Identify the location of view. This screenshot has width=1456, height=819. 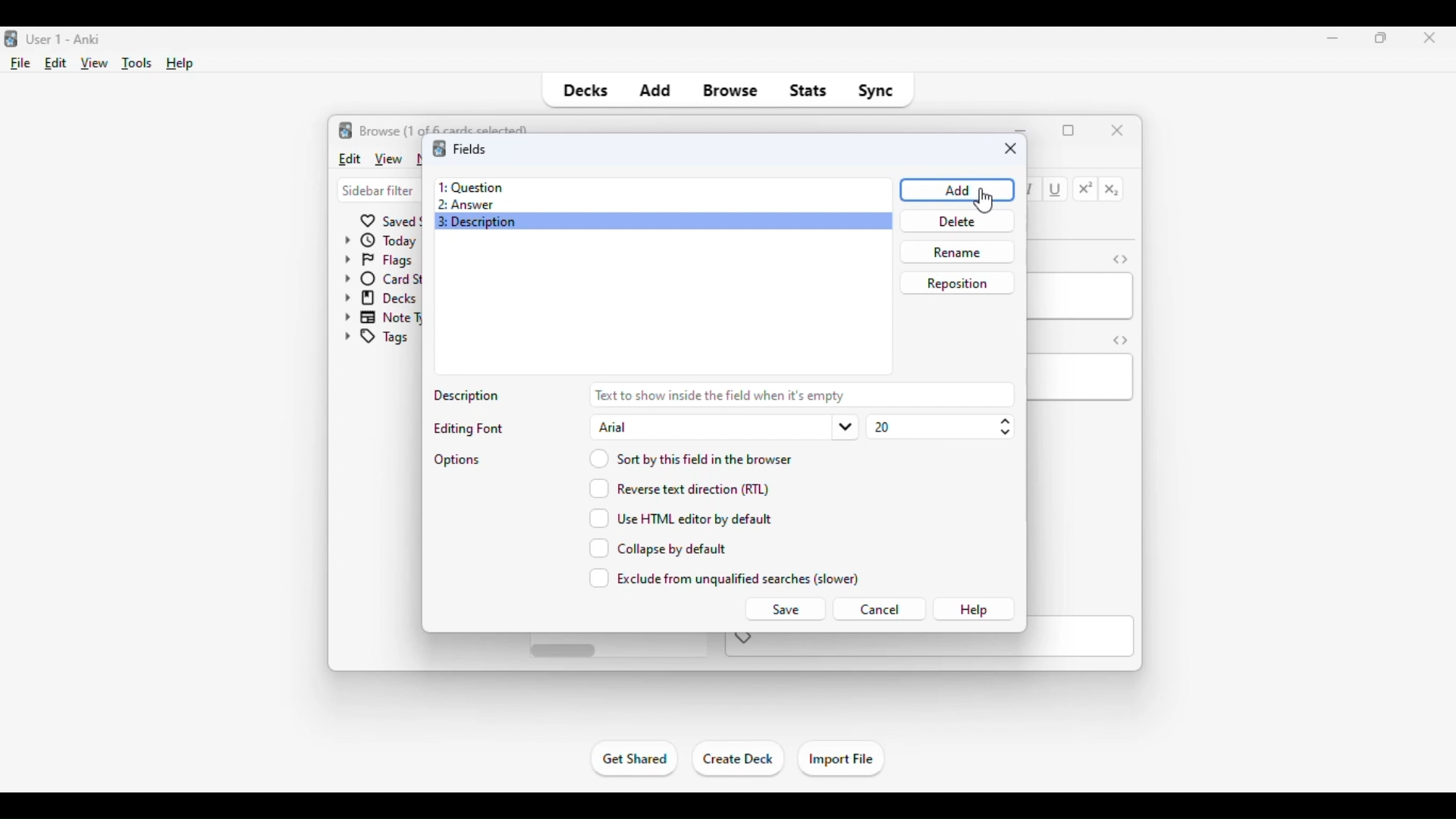
(95, 64).